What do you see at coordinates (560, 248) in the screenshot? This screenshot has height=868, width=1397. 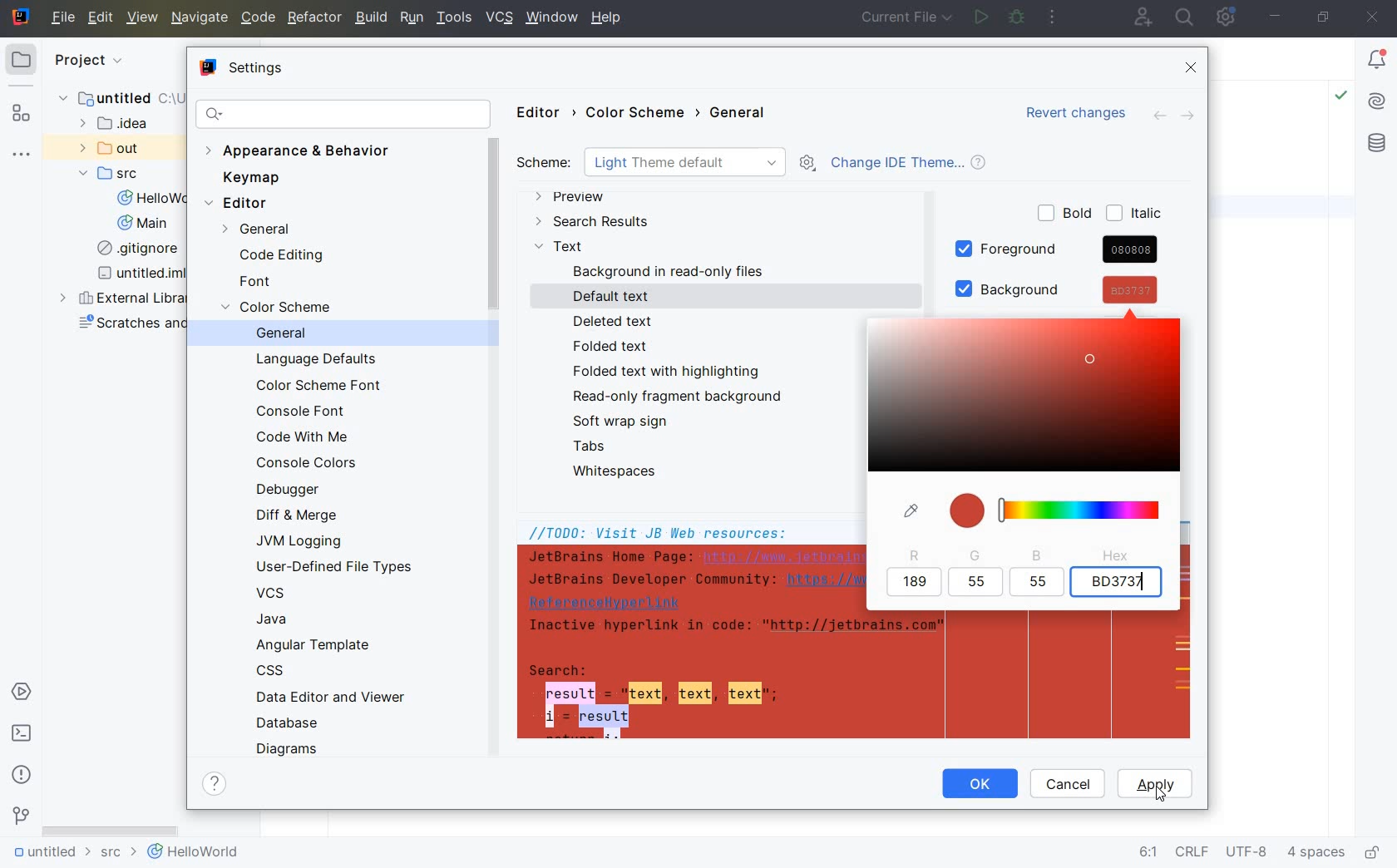 I see `TEXT` at bounding box center [560, 248].